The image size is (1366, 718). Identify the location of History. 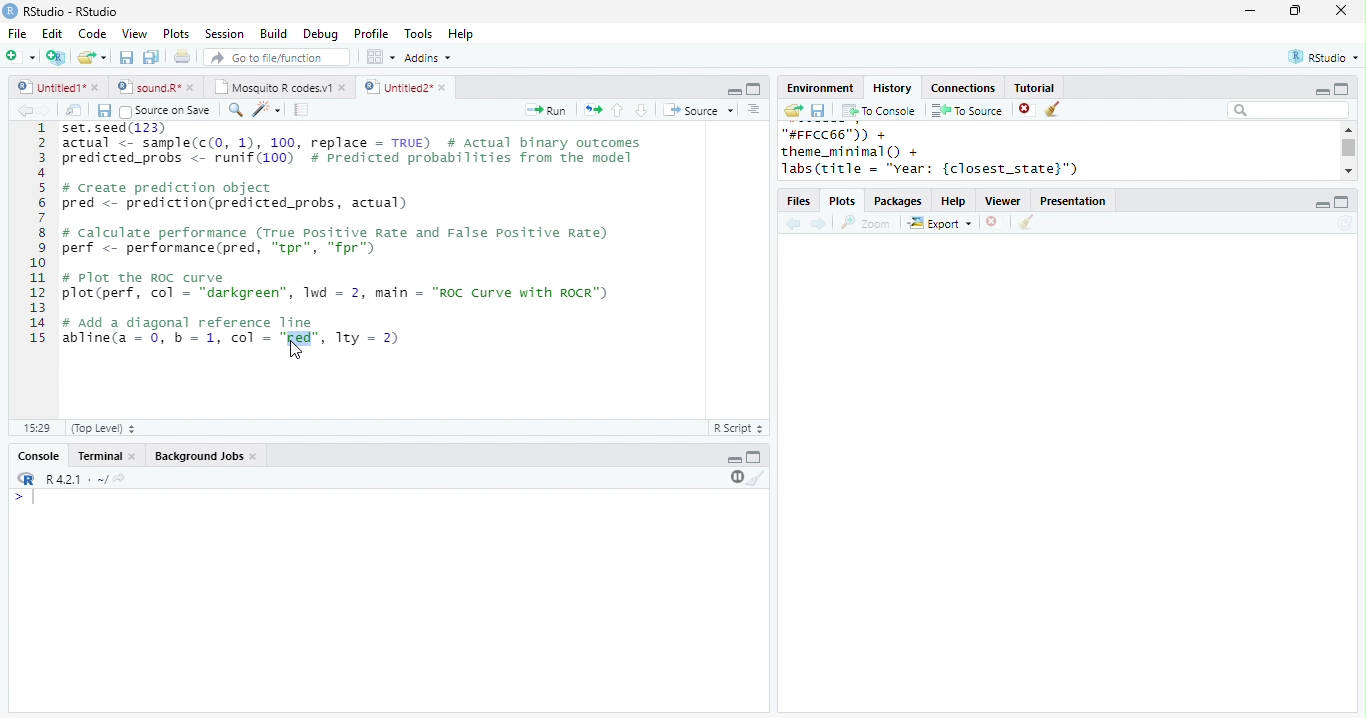
(892, 88).